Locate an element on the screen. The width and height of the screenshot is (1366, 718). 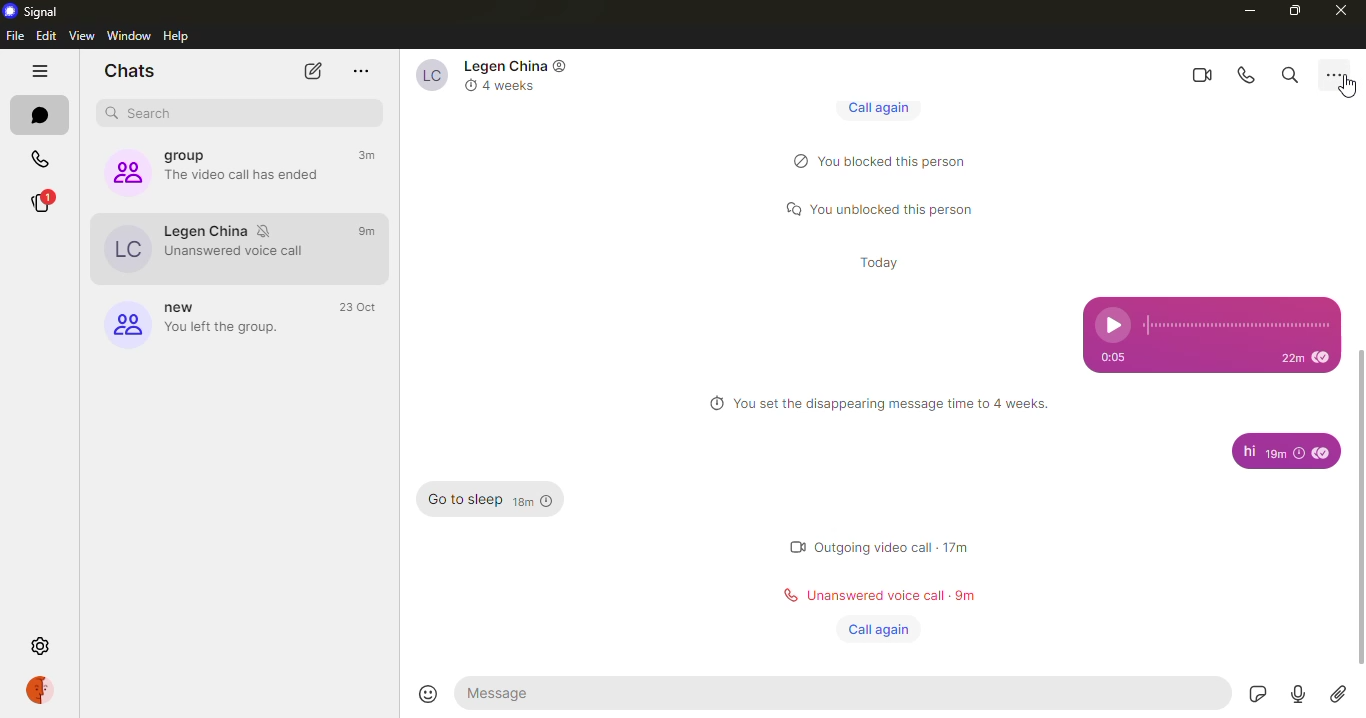
info is located at coordinates (878, 403).